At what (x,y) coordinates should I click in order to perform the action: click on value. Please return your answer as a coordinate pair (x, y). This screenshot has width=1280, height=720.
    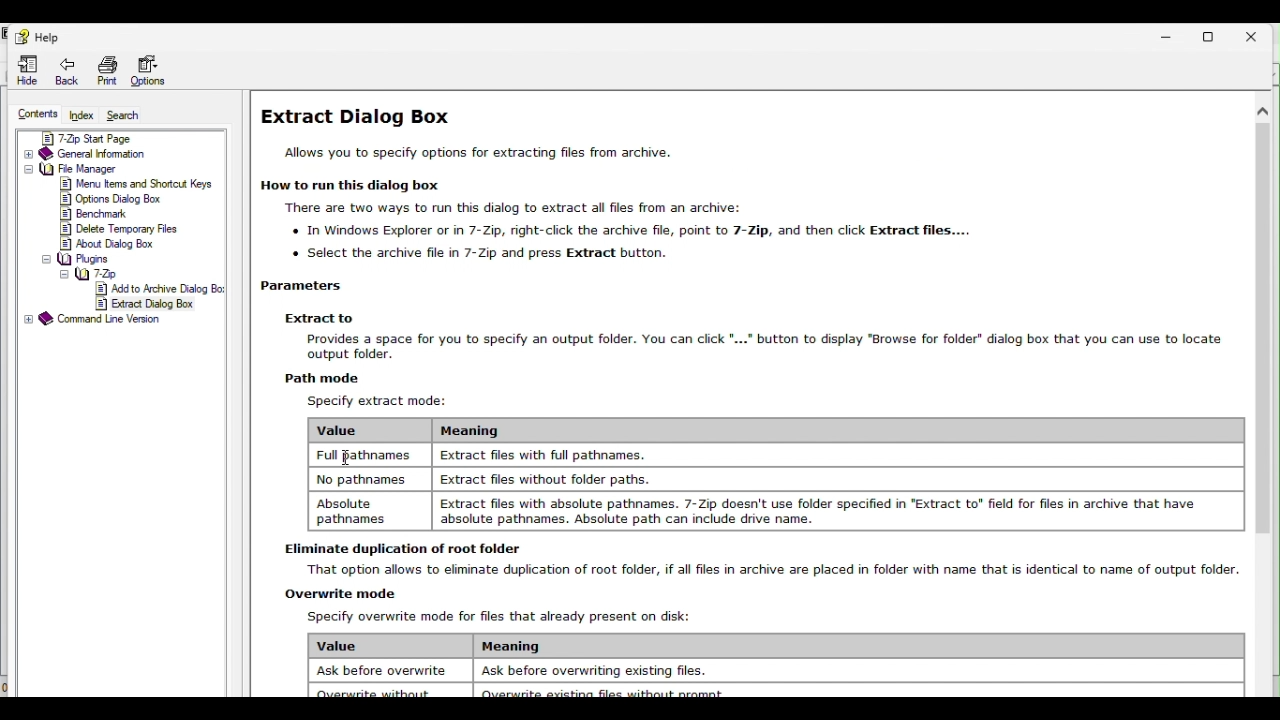
    Looking at the image, I should click on (350, 430).